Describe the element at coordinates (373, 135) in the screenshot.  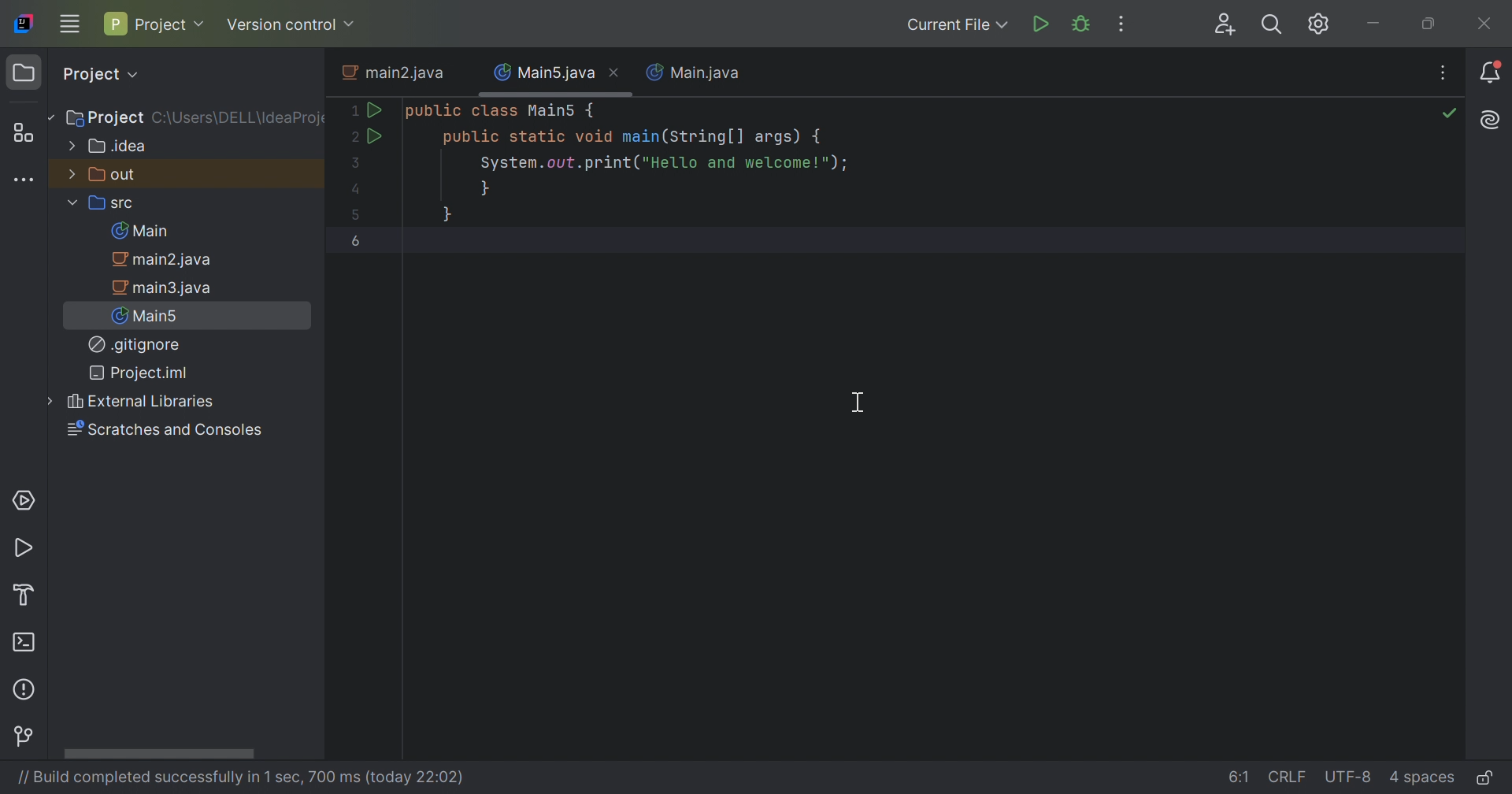
I see `Run` at that location.